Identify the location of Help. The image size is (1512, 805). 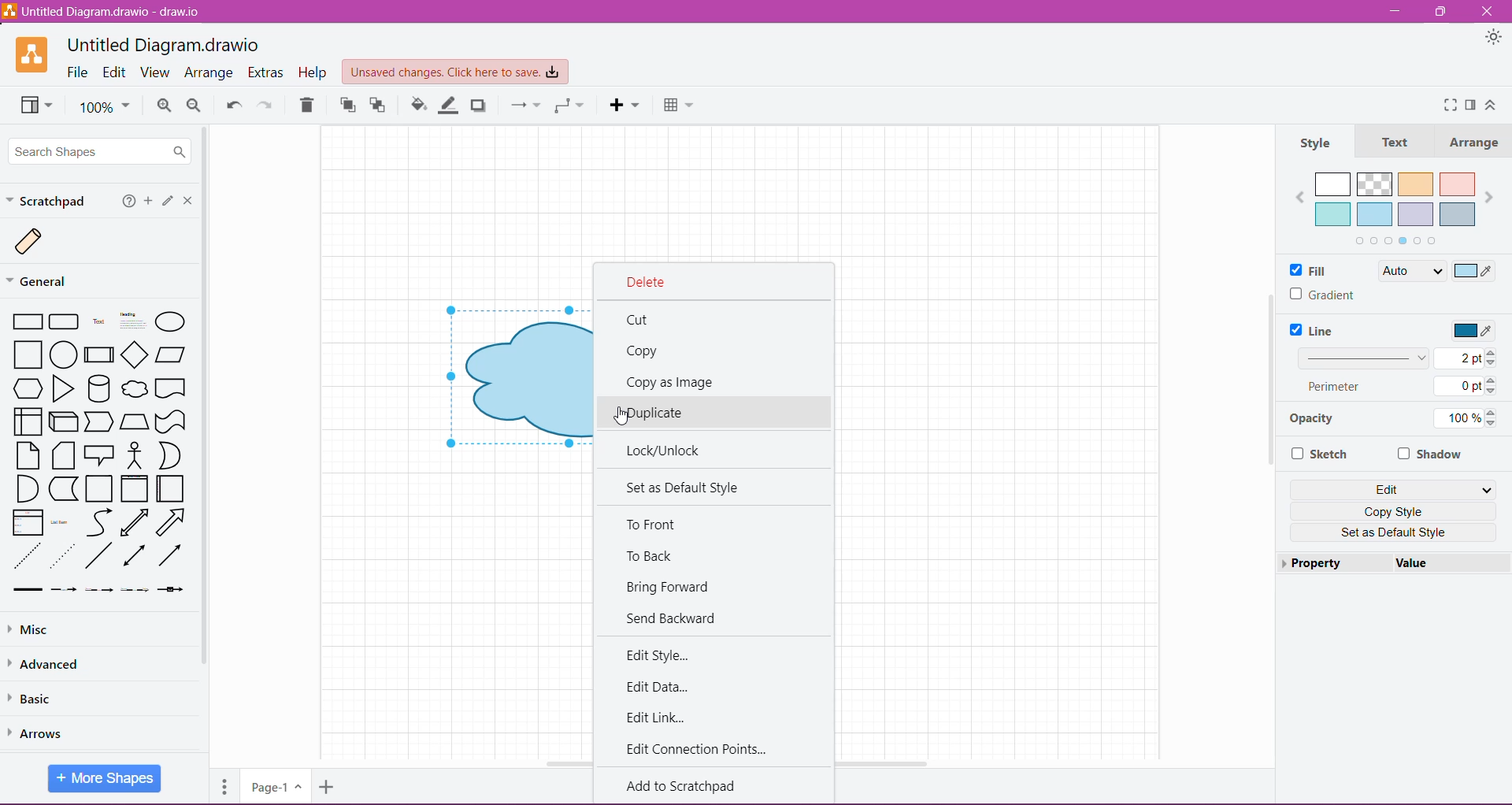
(314, 73).